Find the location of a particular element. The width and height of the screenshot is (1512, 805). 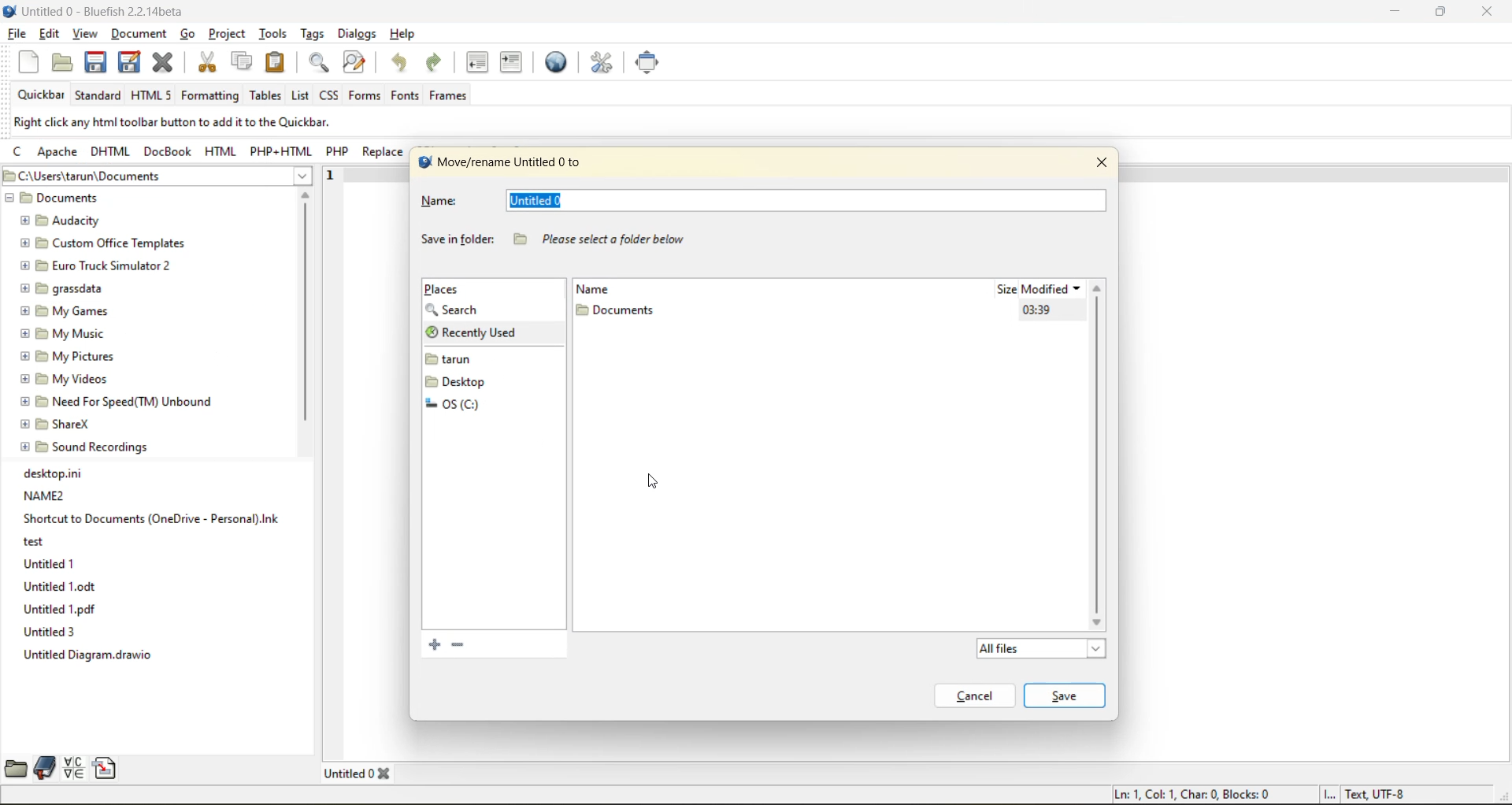

open is located at coordinates (62, 65).